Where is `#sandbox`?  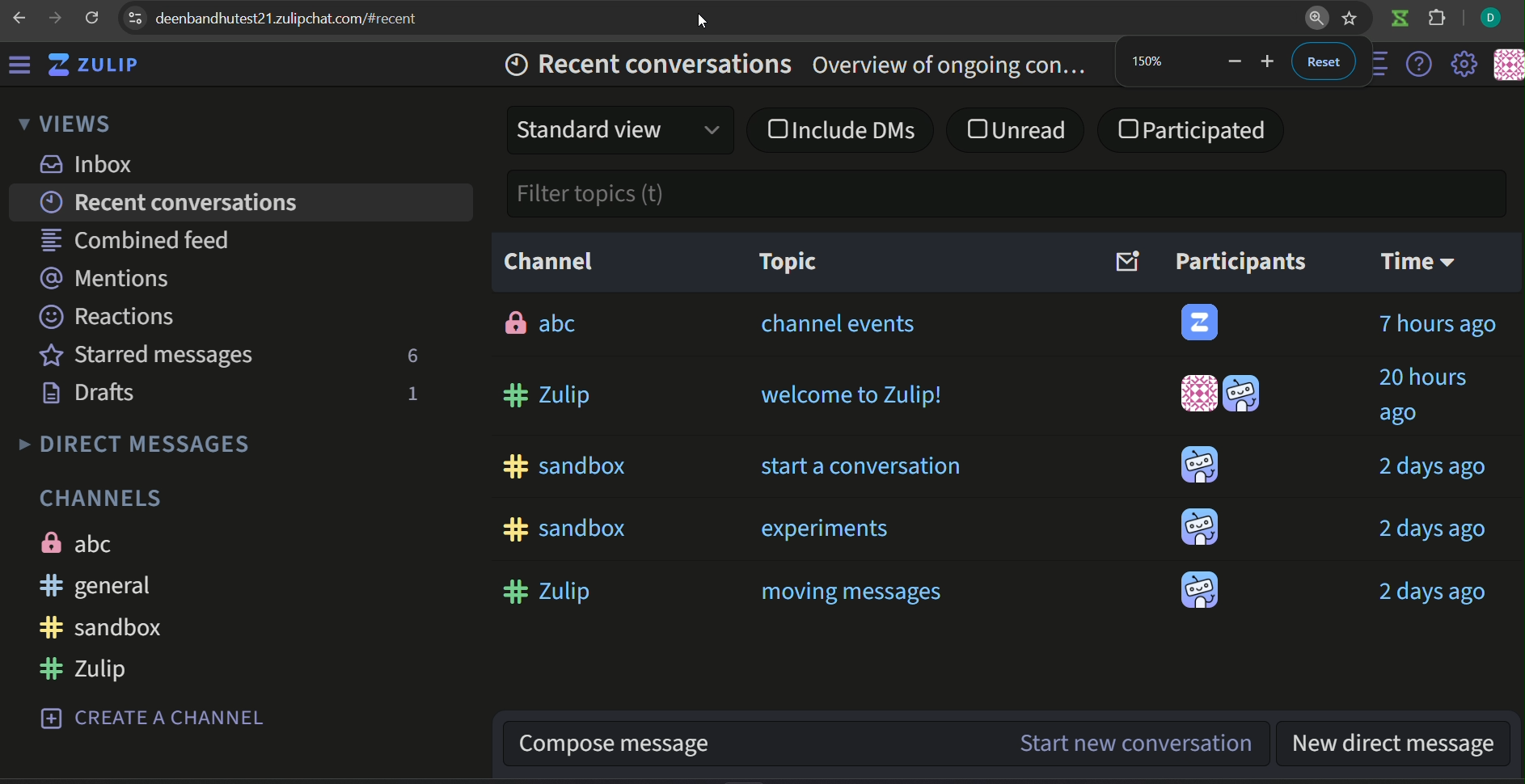 #sandbox is located at coordinates (103, 626).